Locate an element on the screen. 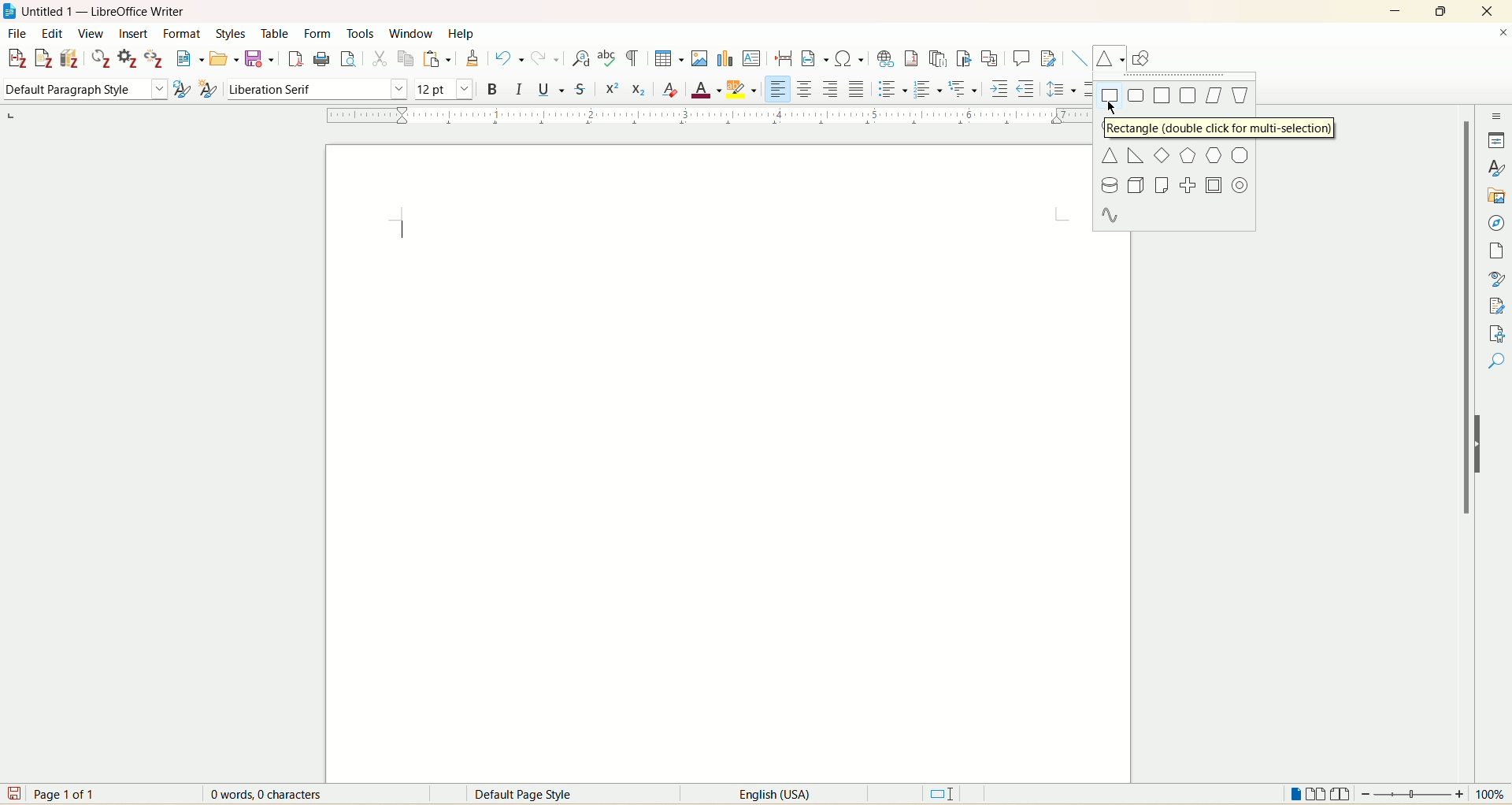 This screenshot has width=1512, height=805. styles is located at coordinates (1498, 167).